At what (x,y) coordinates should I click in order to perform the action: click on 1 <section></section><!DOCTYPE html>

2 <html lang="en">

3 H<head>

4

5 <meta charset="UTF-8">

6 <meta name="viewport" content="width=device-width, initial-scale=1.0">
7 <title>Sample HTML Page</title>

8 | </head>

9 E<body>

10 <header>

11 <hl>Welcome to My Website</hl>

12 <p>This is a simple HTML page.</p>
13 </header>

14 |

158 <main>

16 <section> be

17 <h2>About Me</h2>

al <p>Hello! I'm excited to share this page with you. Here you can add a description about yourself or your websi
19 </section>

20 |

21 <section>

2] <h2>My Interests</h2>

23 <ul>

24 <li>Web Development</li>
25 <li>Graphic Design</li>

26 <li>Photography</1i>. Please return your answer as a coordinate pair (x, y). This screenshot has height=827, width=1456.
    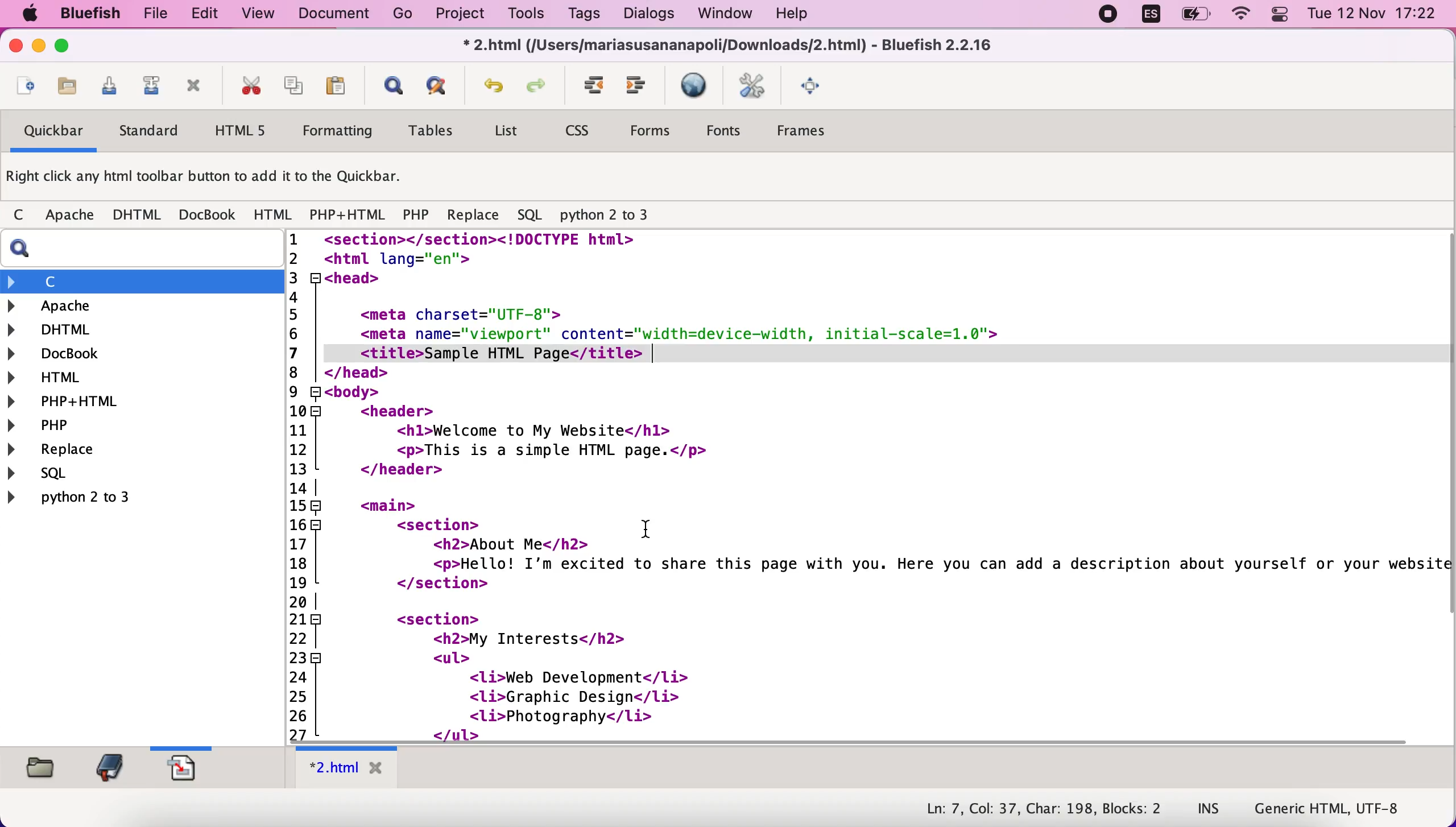
    Looking at the image, I should click on (863, 478).